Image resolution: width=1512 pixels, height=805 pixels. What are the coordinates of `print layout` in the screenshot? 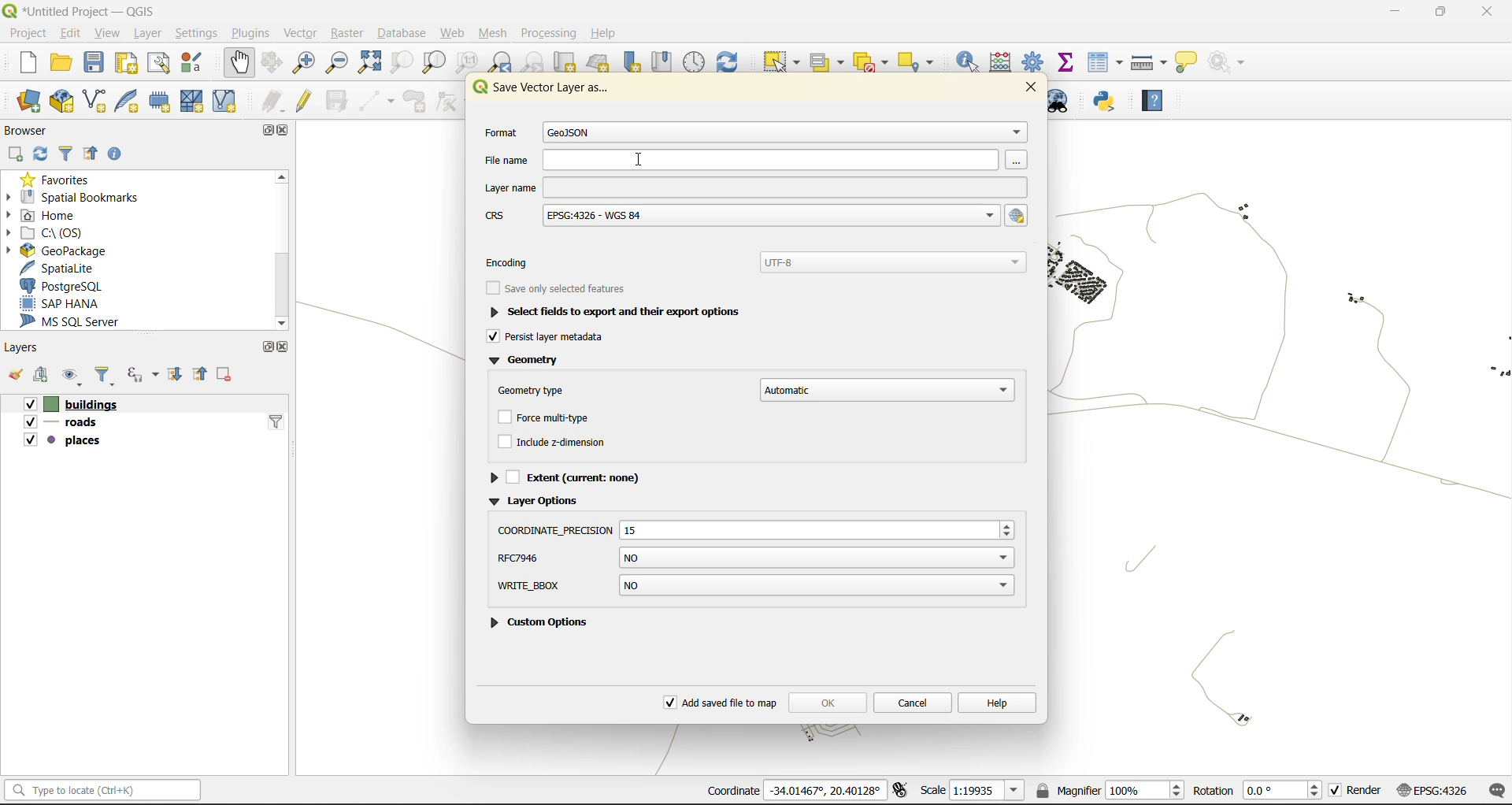 It's located at (128, 64).